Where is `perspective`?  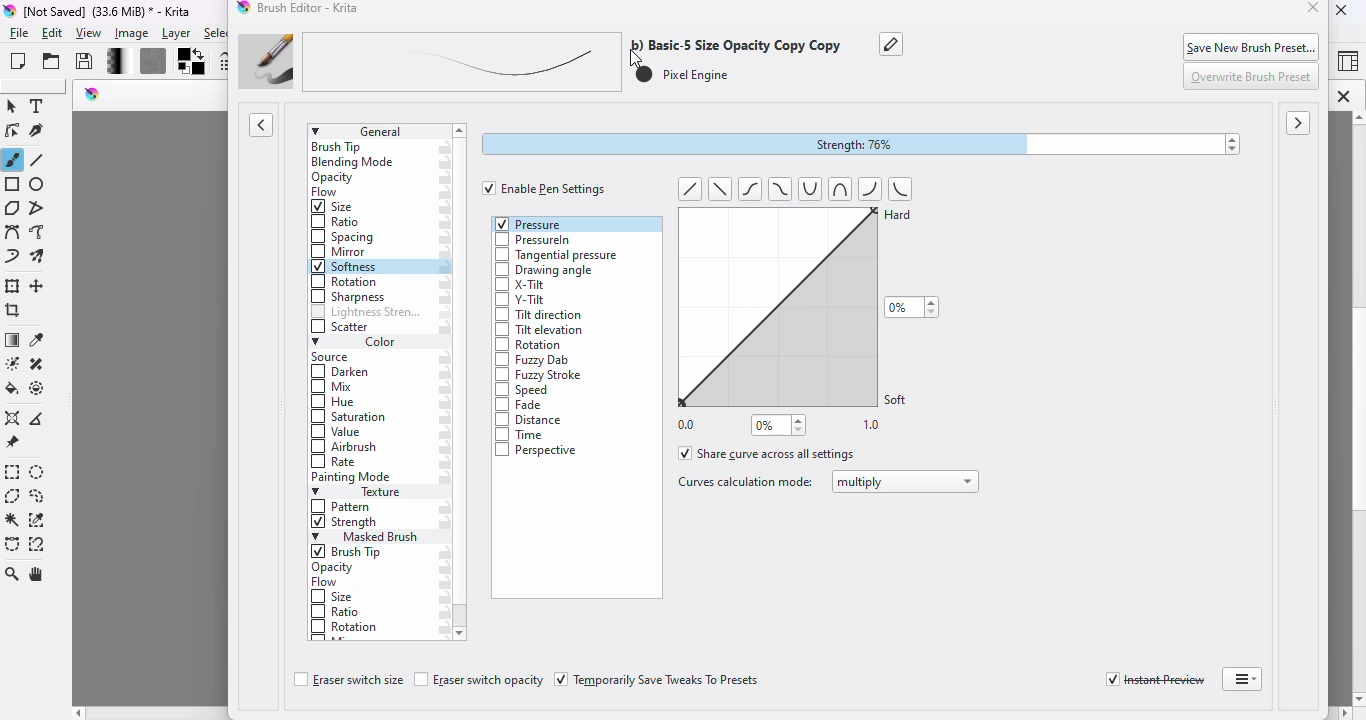
perspective is located at coordinates (537, 450).